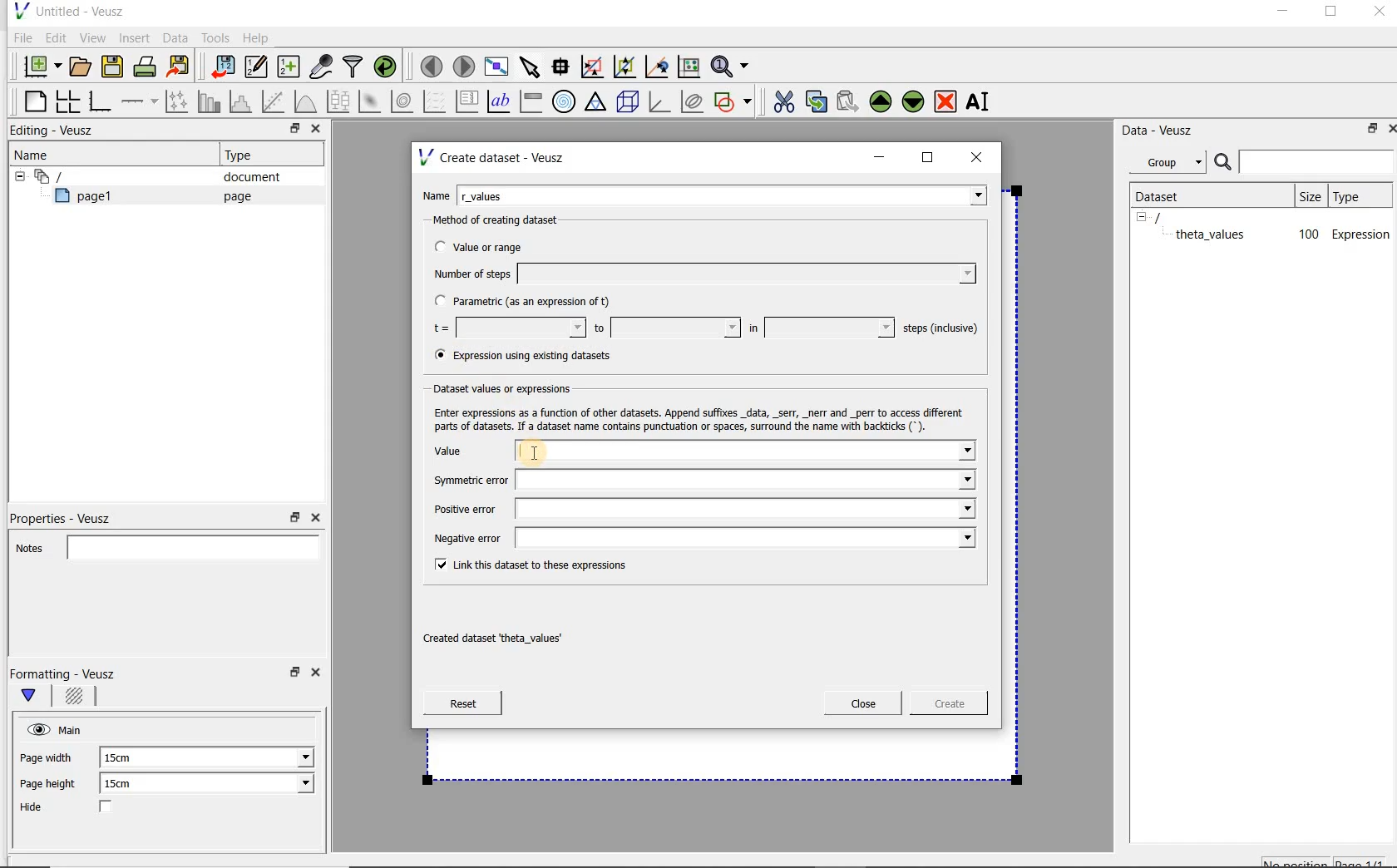  Describe the element at coordinates (1172, 216) in the screenshot. I see `/document name` at that location.